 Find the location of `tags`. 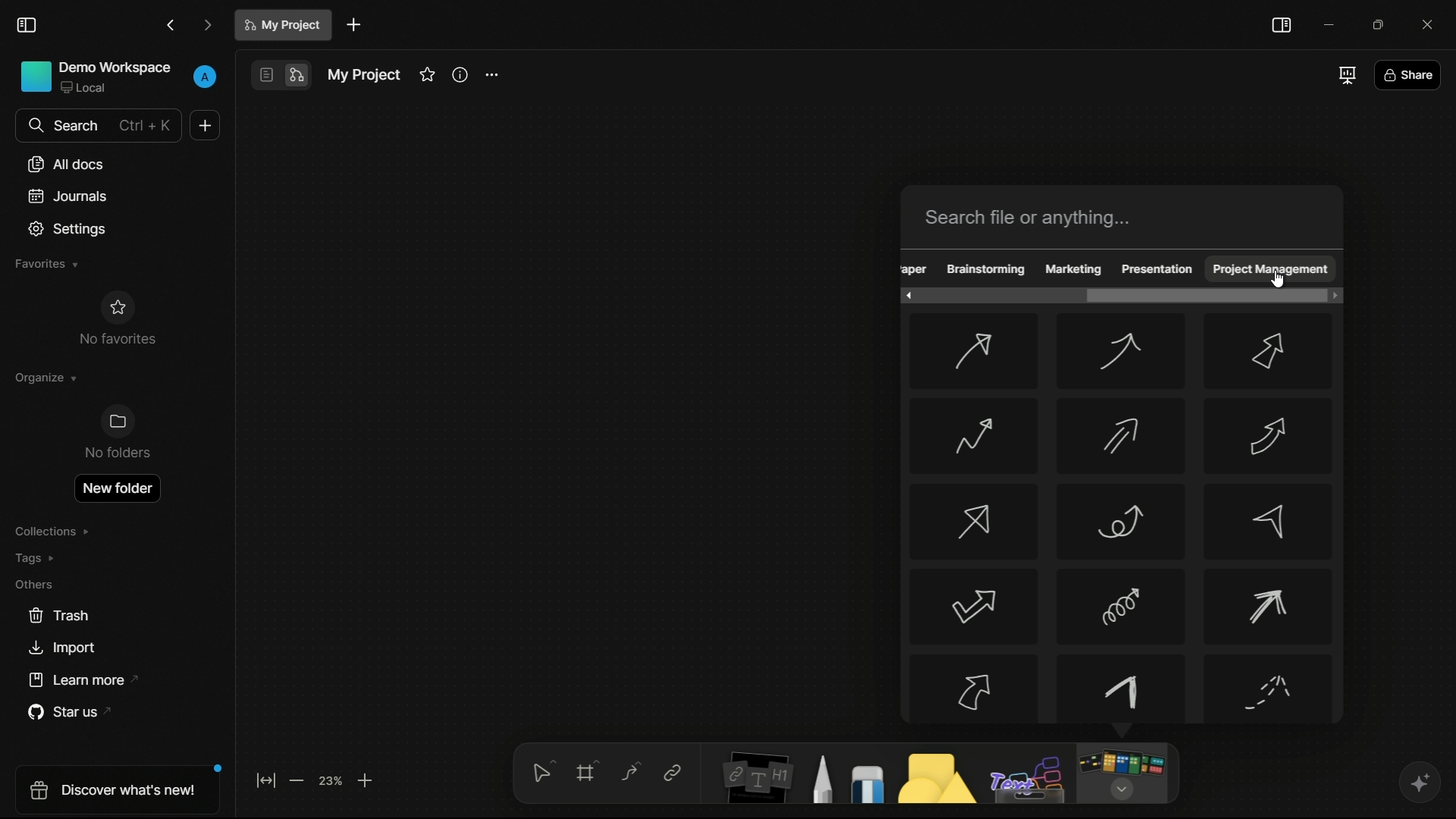

tags is located at coordinates (36, 558).